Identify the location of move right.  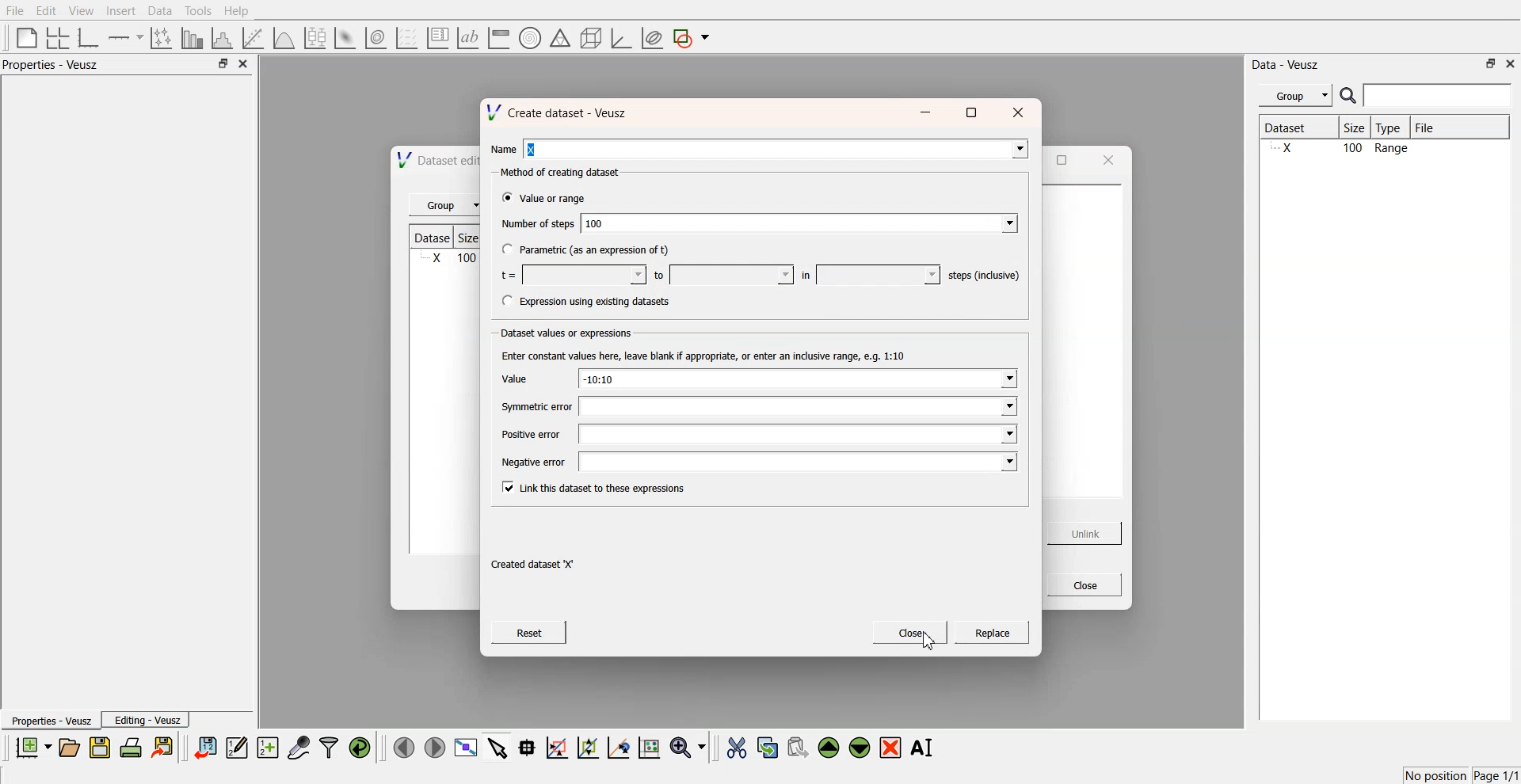
(434, 746).